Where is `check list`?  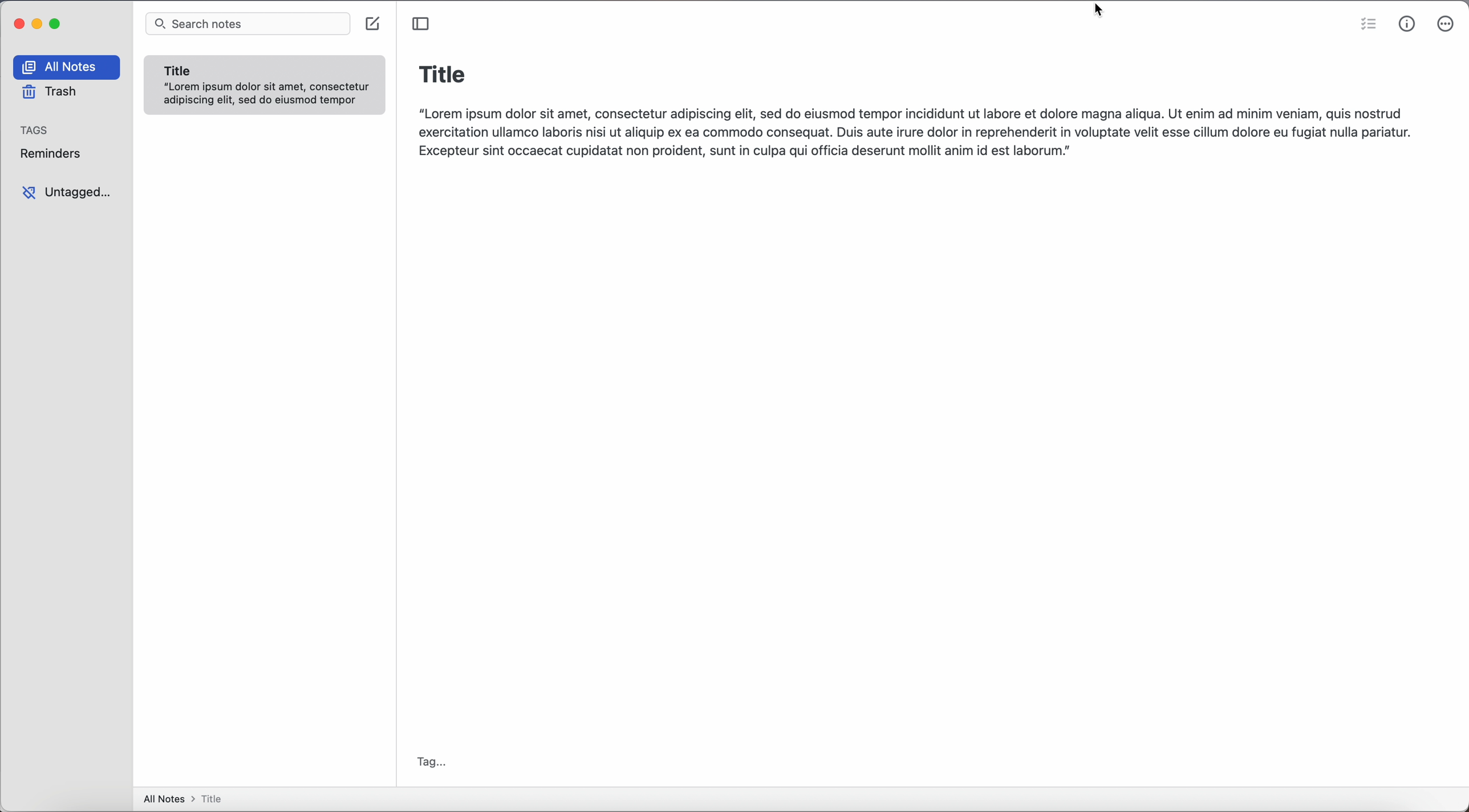 check list is located at coordinates (1366, 26).